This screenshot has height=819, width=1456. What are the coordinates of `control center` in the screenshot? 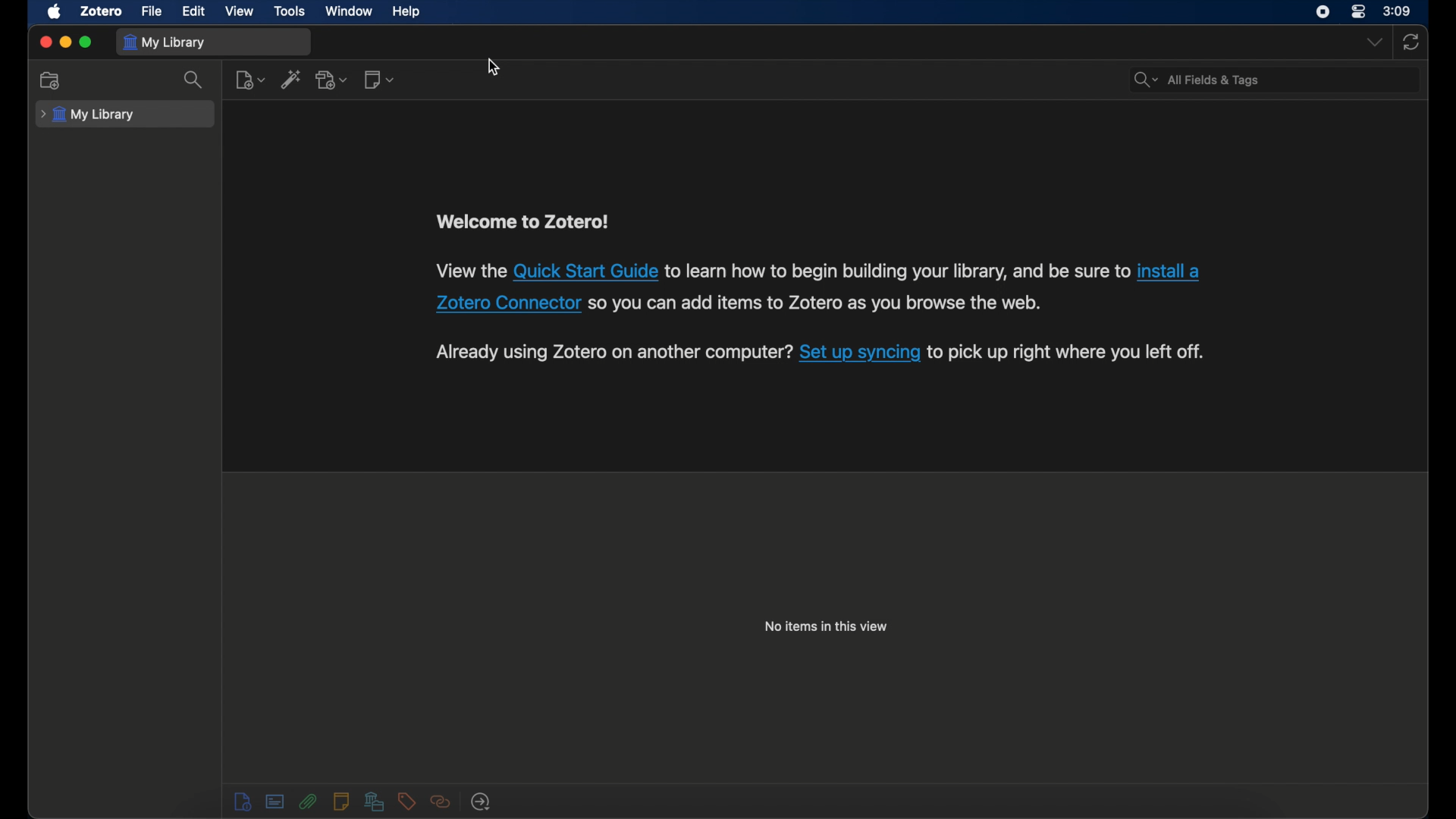 It's located at (1359, 12).